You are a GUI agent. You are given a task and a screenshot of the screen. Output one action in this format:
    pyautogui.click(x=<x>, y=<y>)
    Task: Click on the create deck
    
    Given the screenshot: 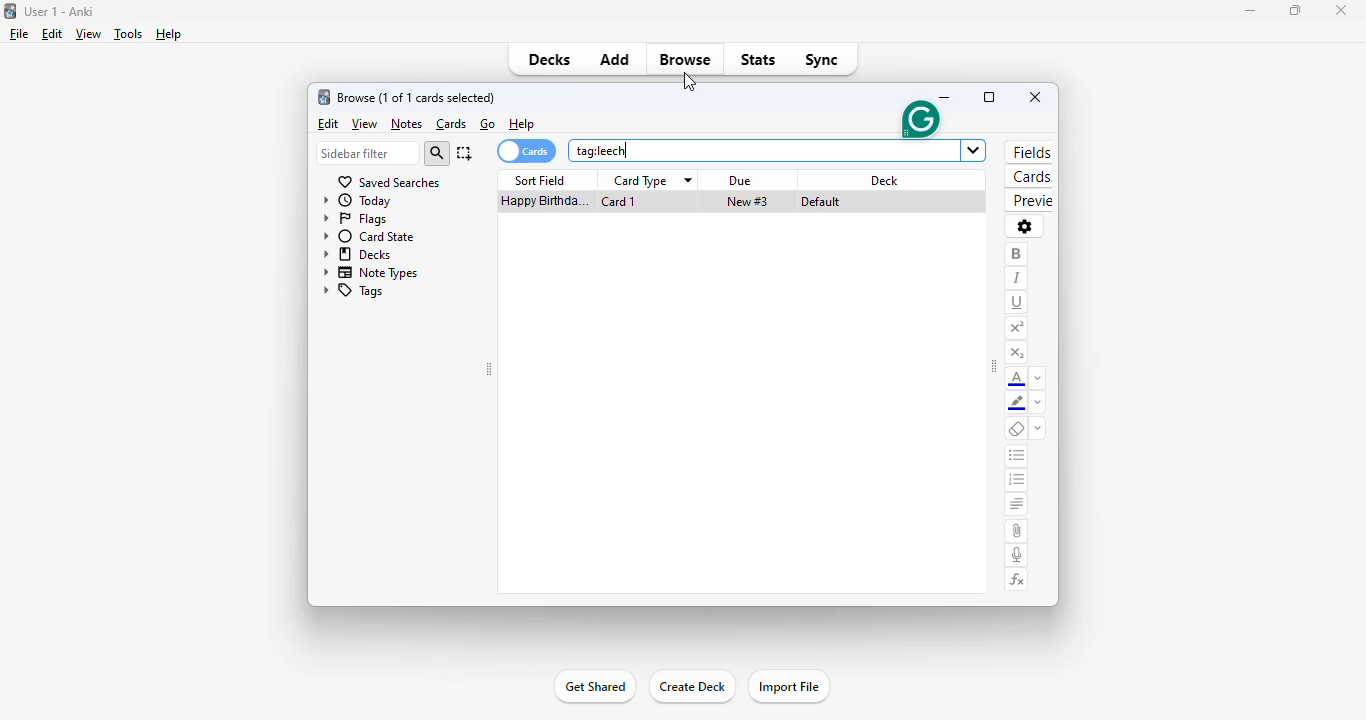 What is the action you would take?
    pyautogui.click(x=692, y=688)
    